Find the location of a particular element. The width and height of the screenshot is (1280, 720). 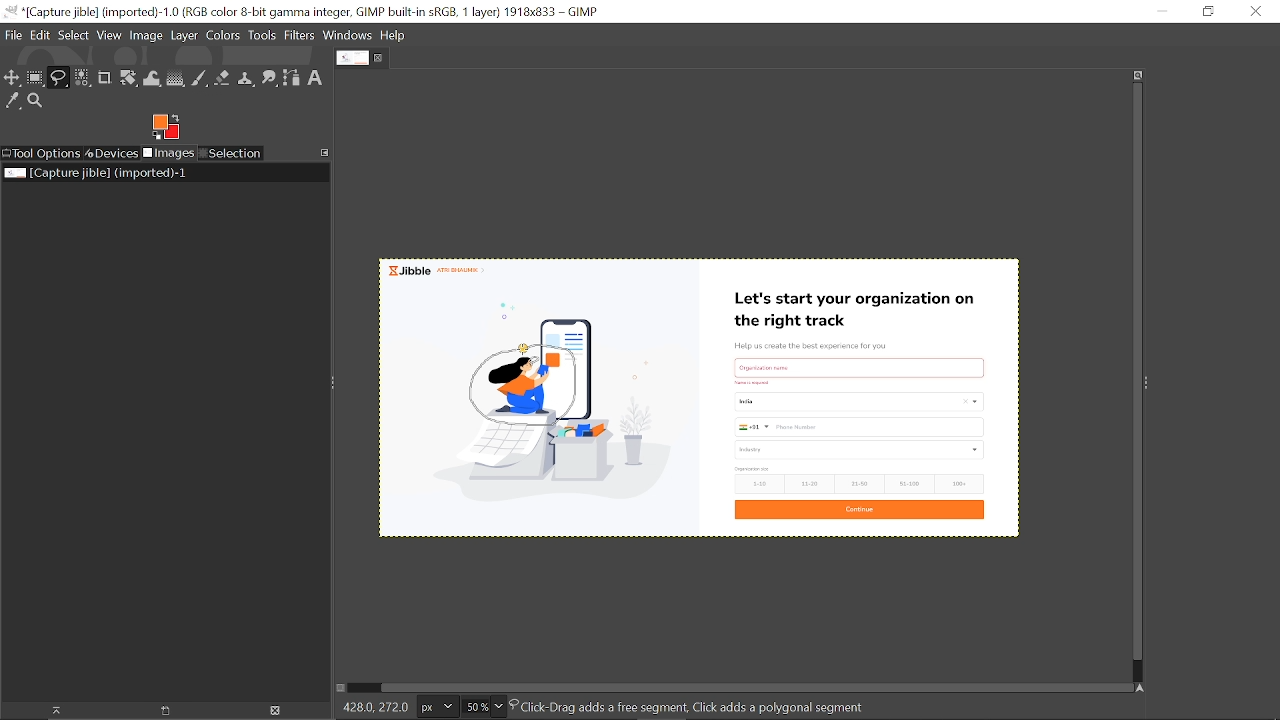

View is located at coordinates (110, 35).